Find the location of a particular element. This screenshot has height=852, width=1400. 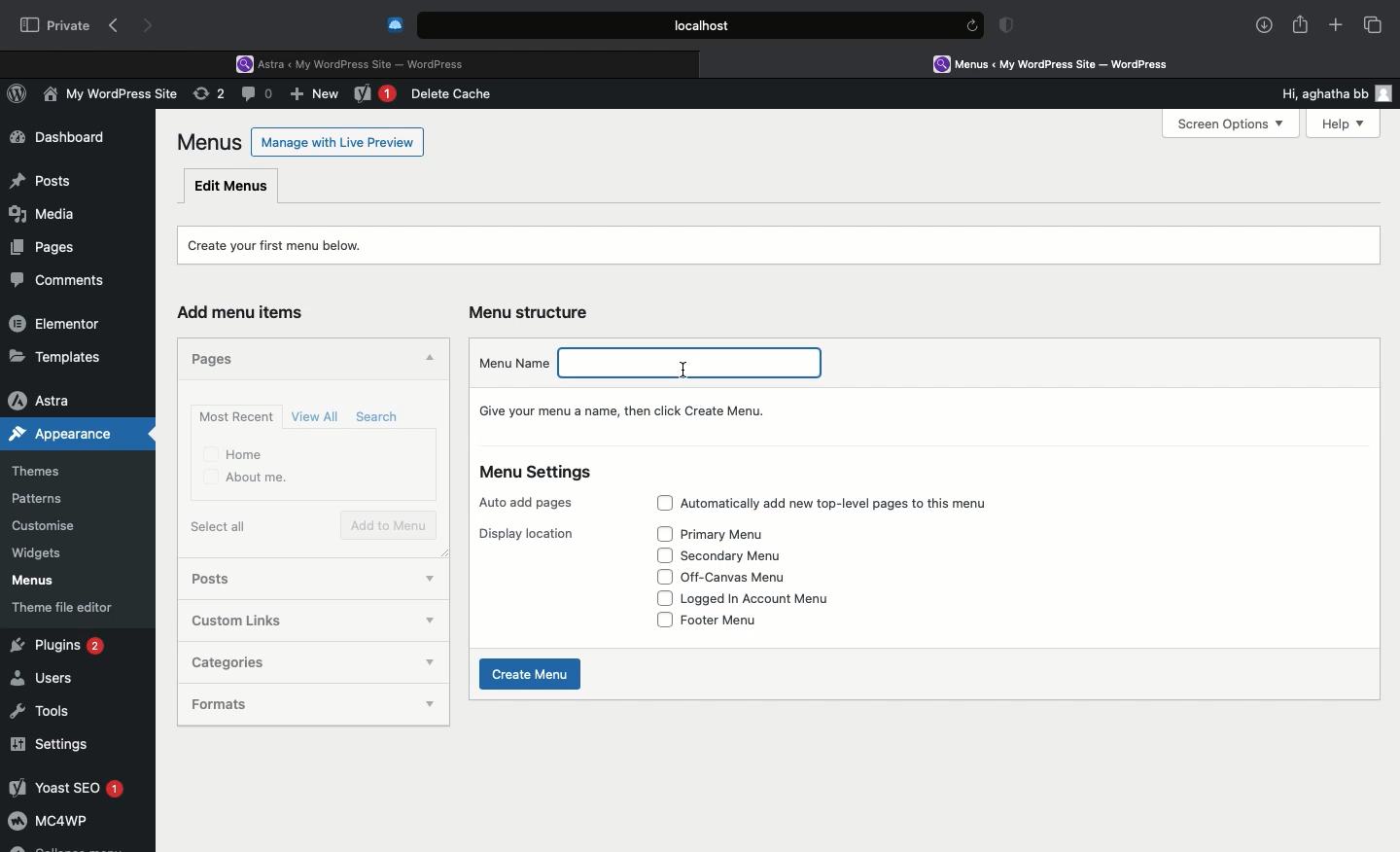

Typing is located at coordinates (695, 362).